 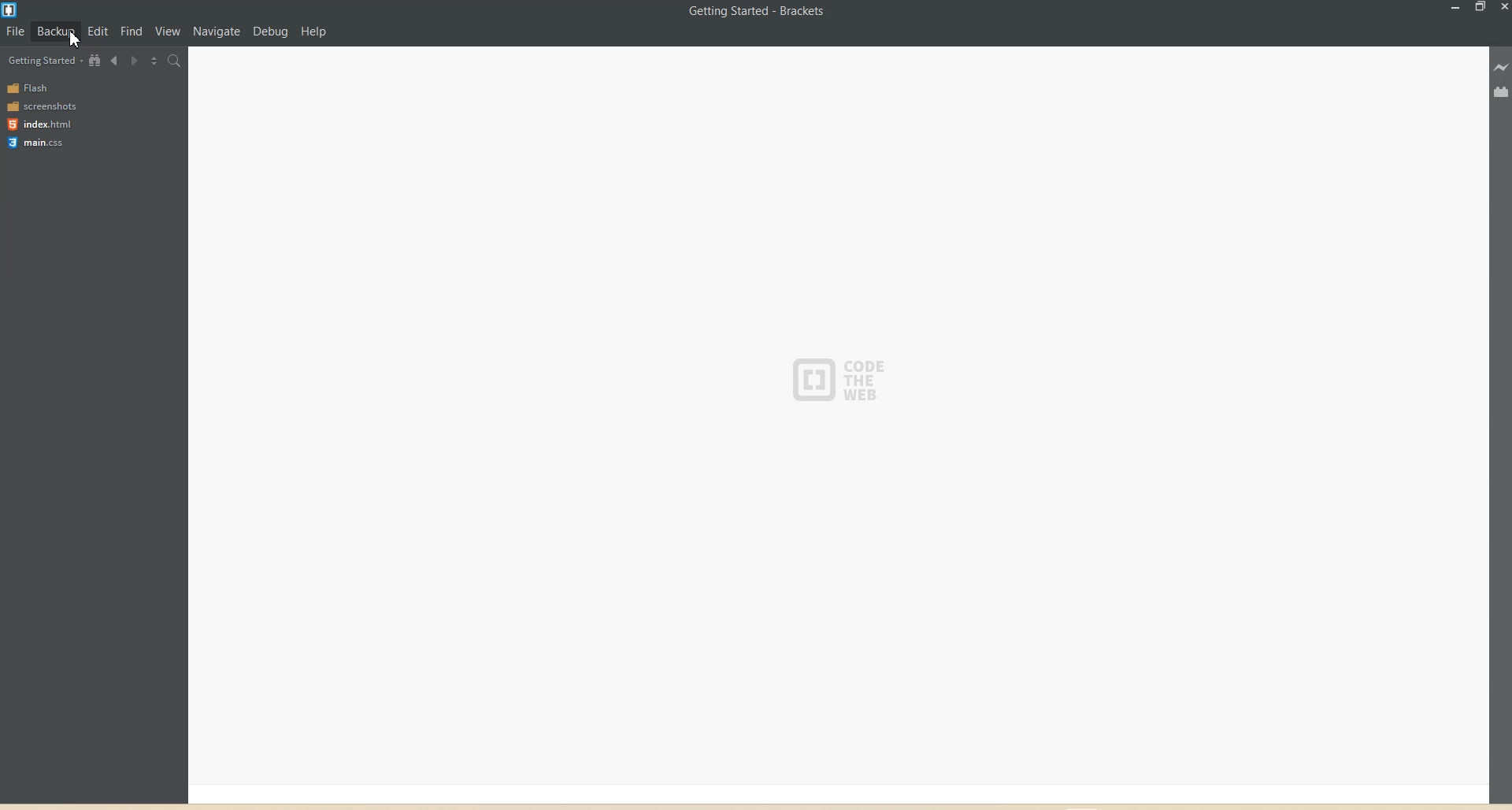 What do you see at coordinates (175, 61) in the screenshot?
I see `Find in files` at bounding box center [175, 61].